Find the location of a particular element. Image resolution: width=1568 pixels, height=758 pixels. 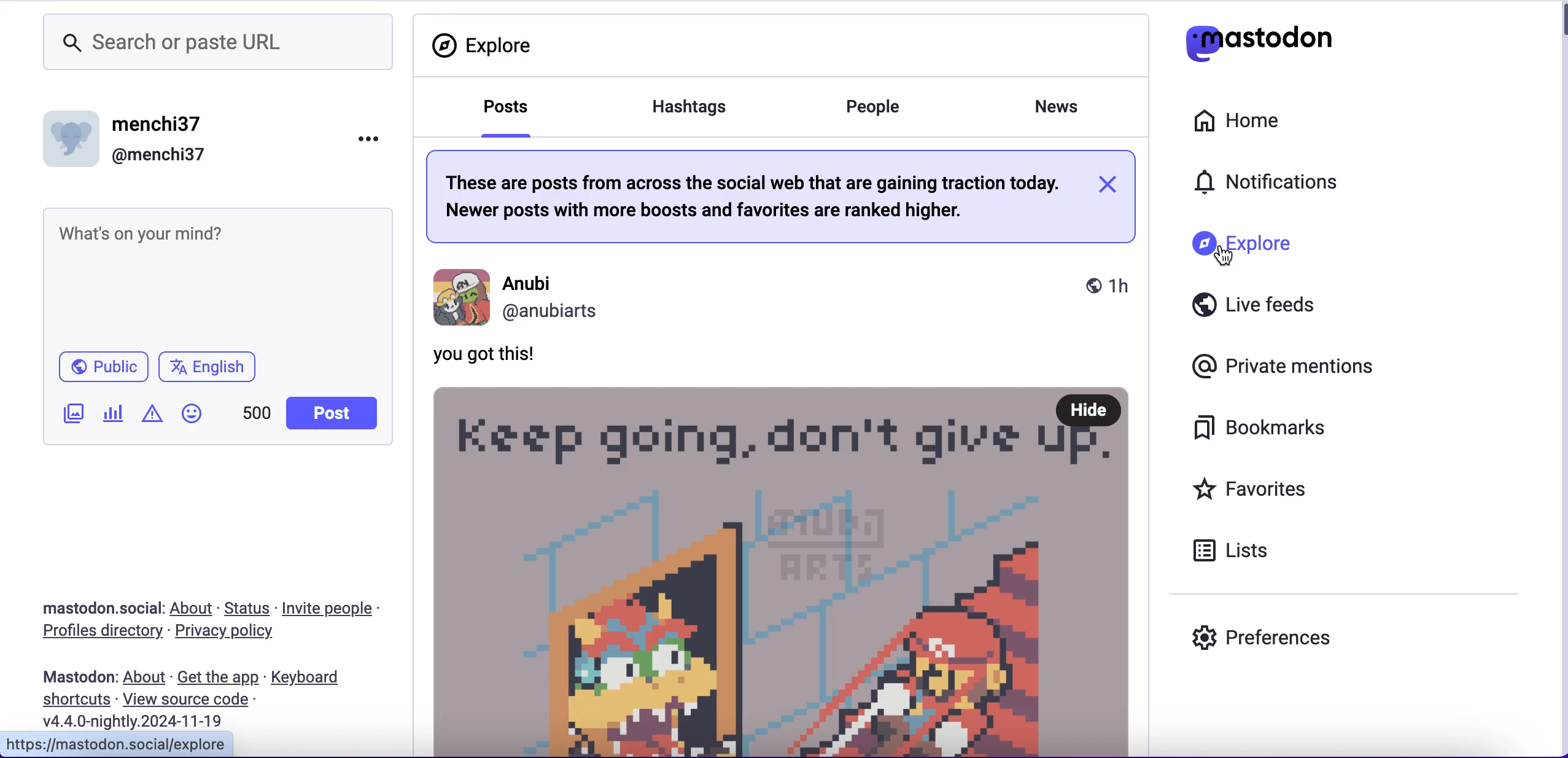

characters is located at coordinates (258, 413).